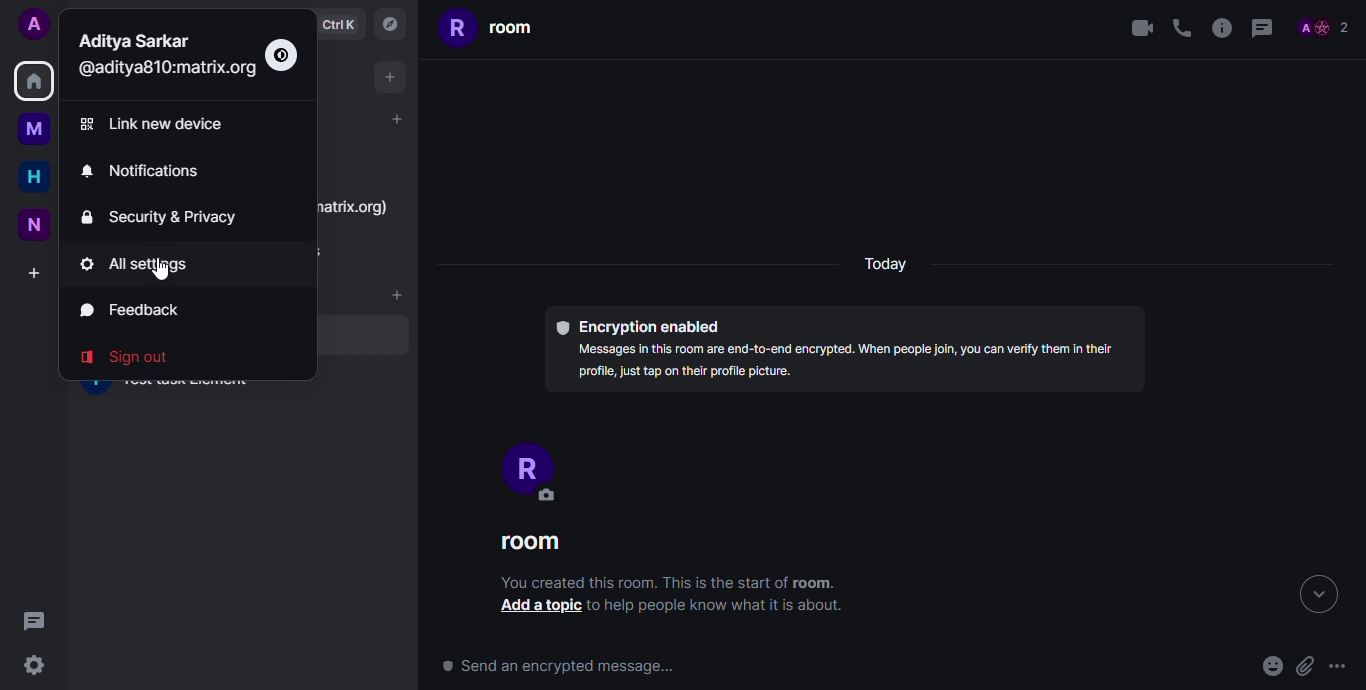  I want to click on info, so click(719, 605).